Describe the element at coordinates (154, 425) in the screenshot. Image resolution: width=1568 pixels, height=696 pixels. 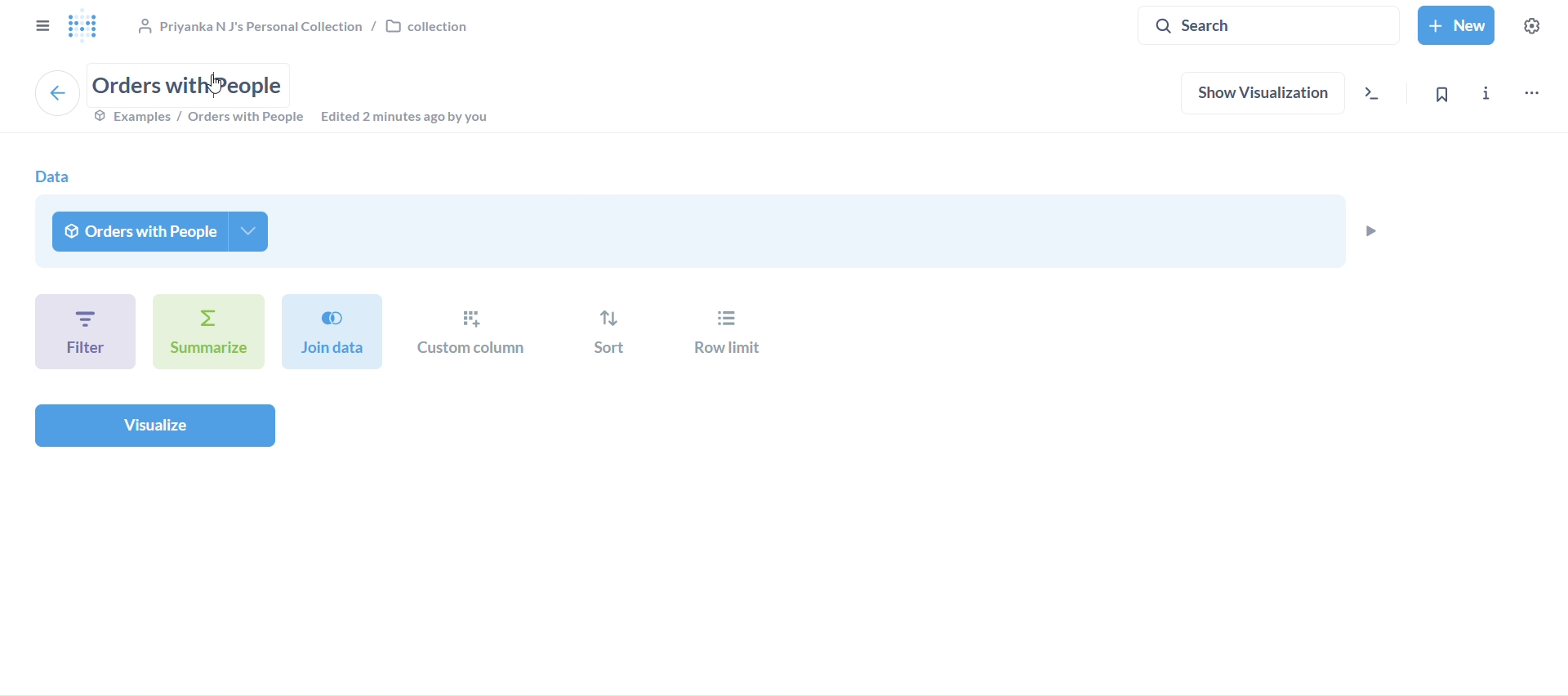
I see `visualize` at that location.